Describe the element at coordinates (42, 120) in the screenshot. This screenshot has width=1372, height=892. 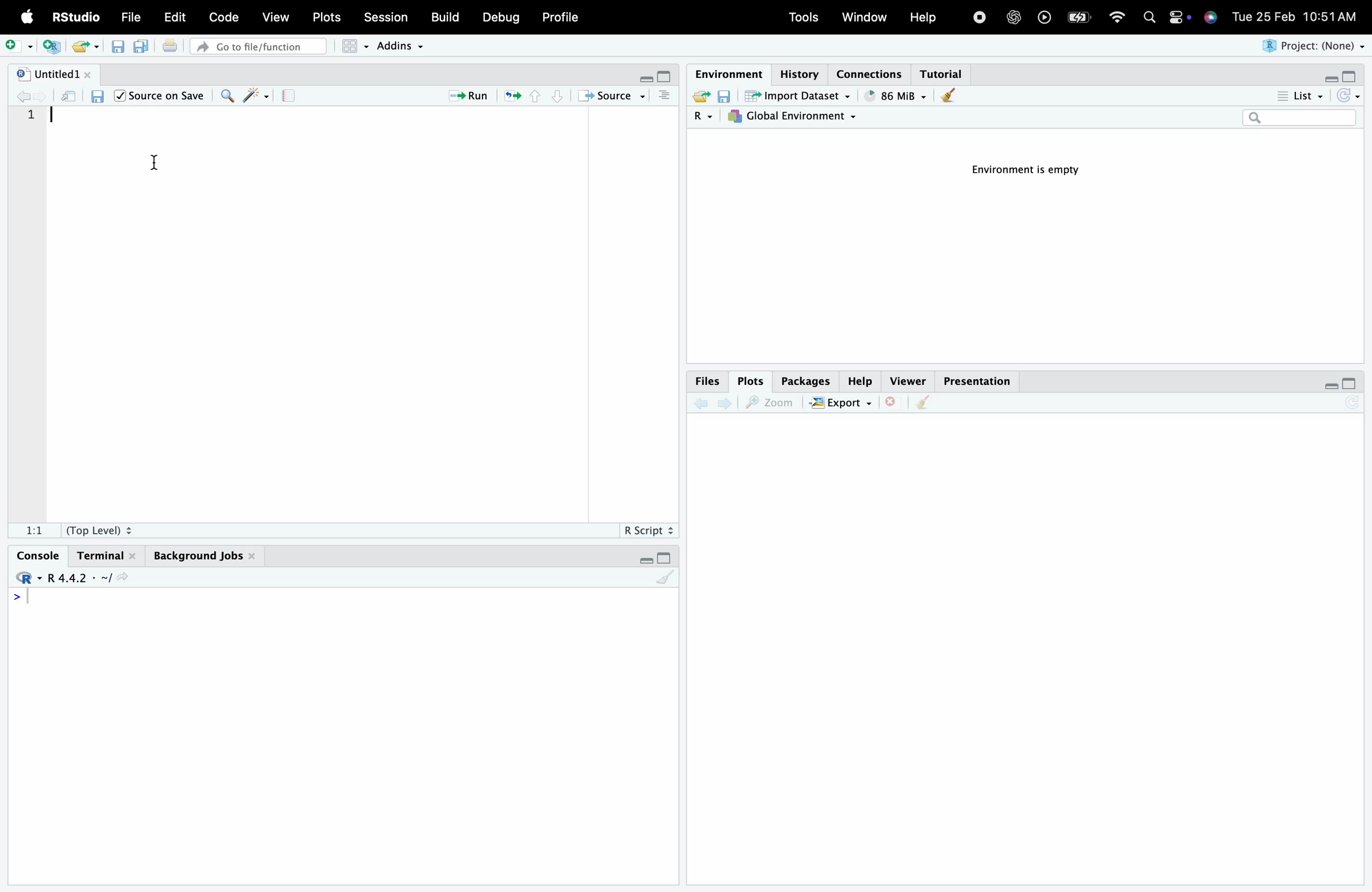
I see `1` at that location.